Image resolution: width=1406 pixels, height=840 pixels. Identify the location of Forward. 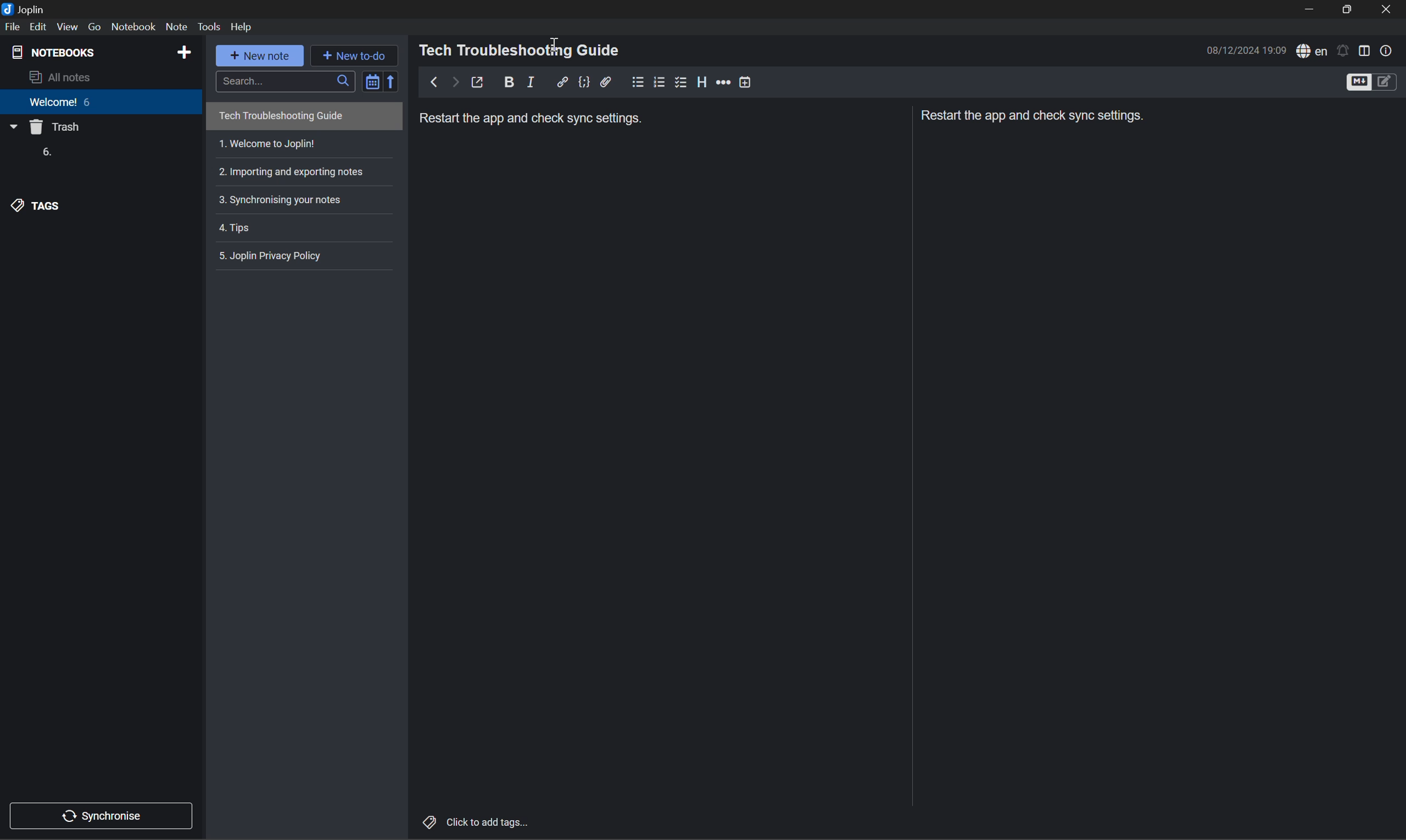
(452, 83).